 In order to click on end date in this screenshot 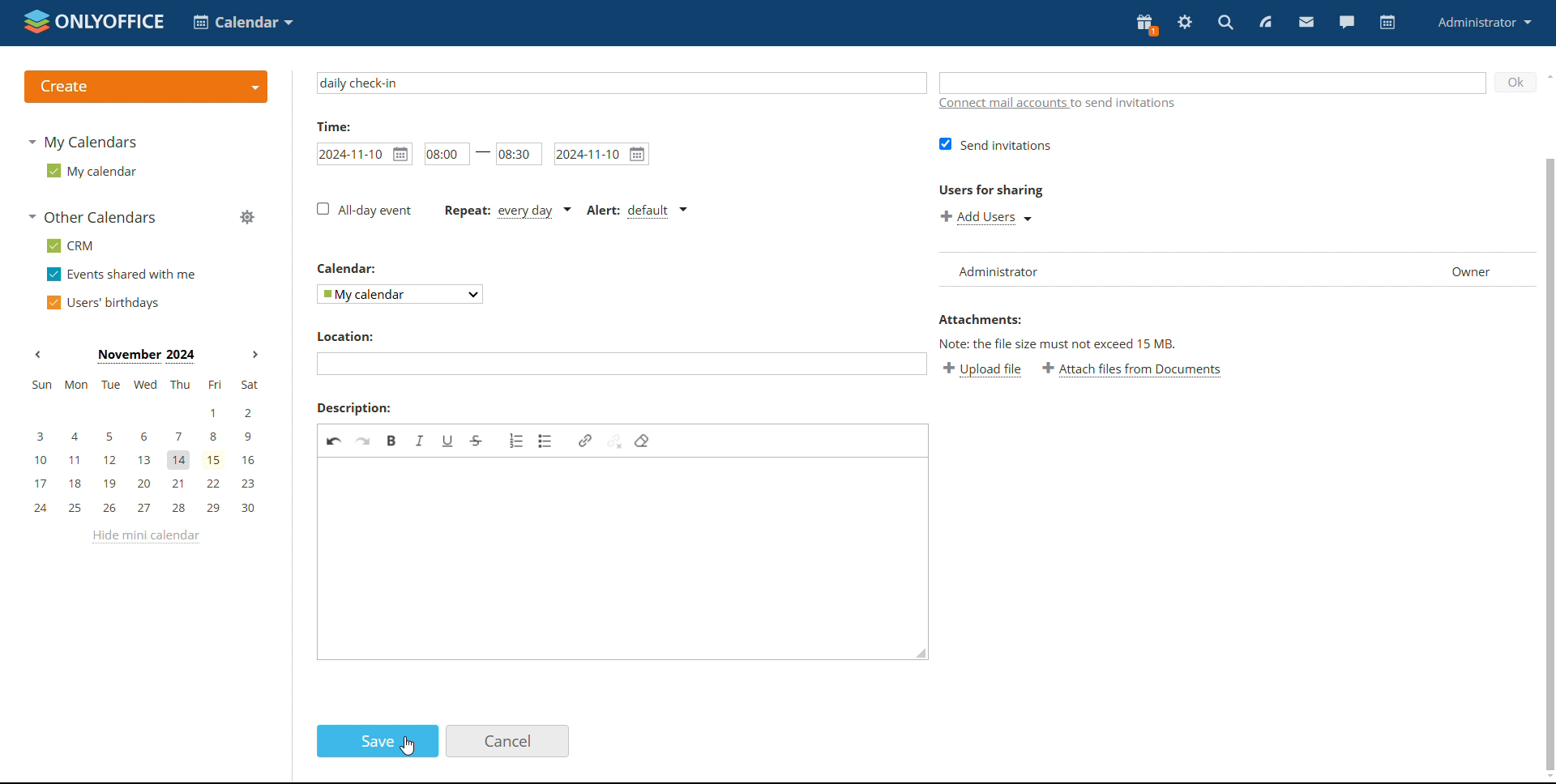, I will do `click(601, 156)`.